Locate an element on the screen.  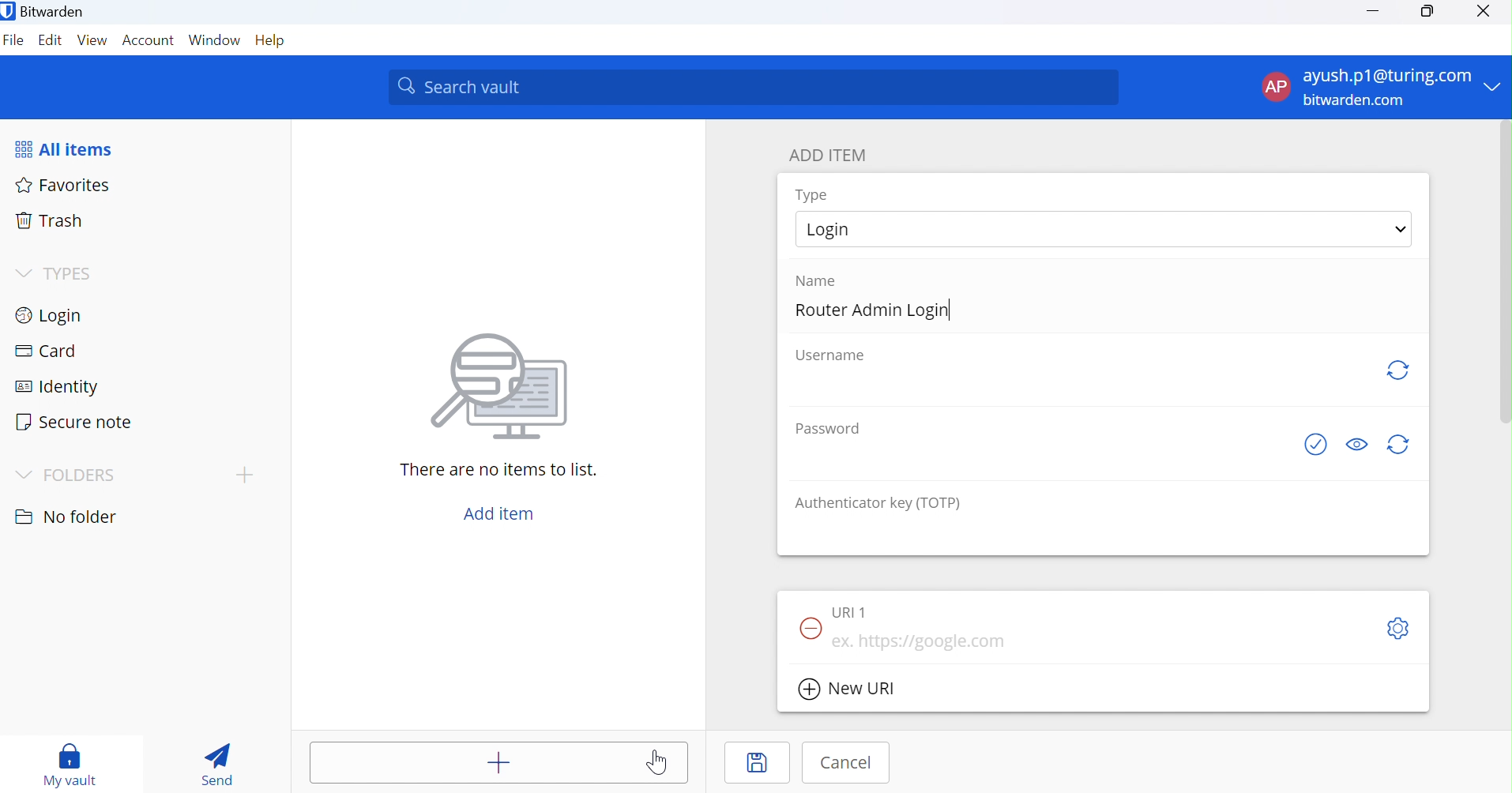
FOLDERS is located at coordinates (70, 472).